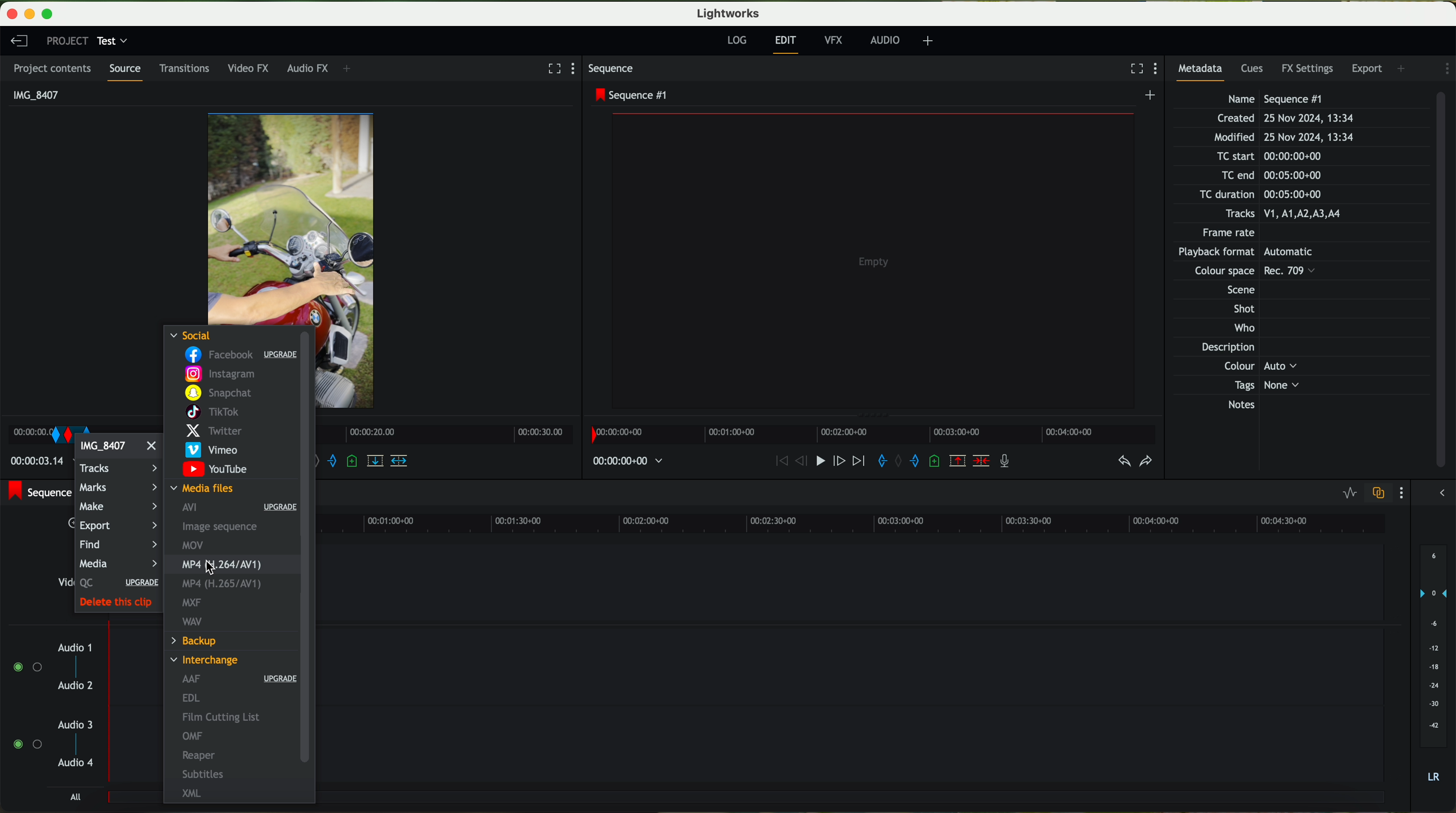  Describe the element at coordinates (1431, 663) in the screenshot. I see `audio output level (dB)` at that location.